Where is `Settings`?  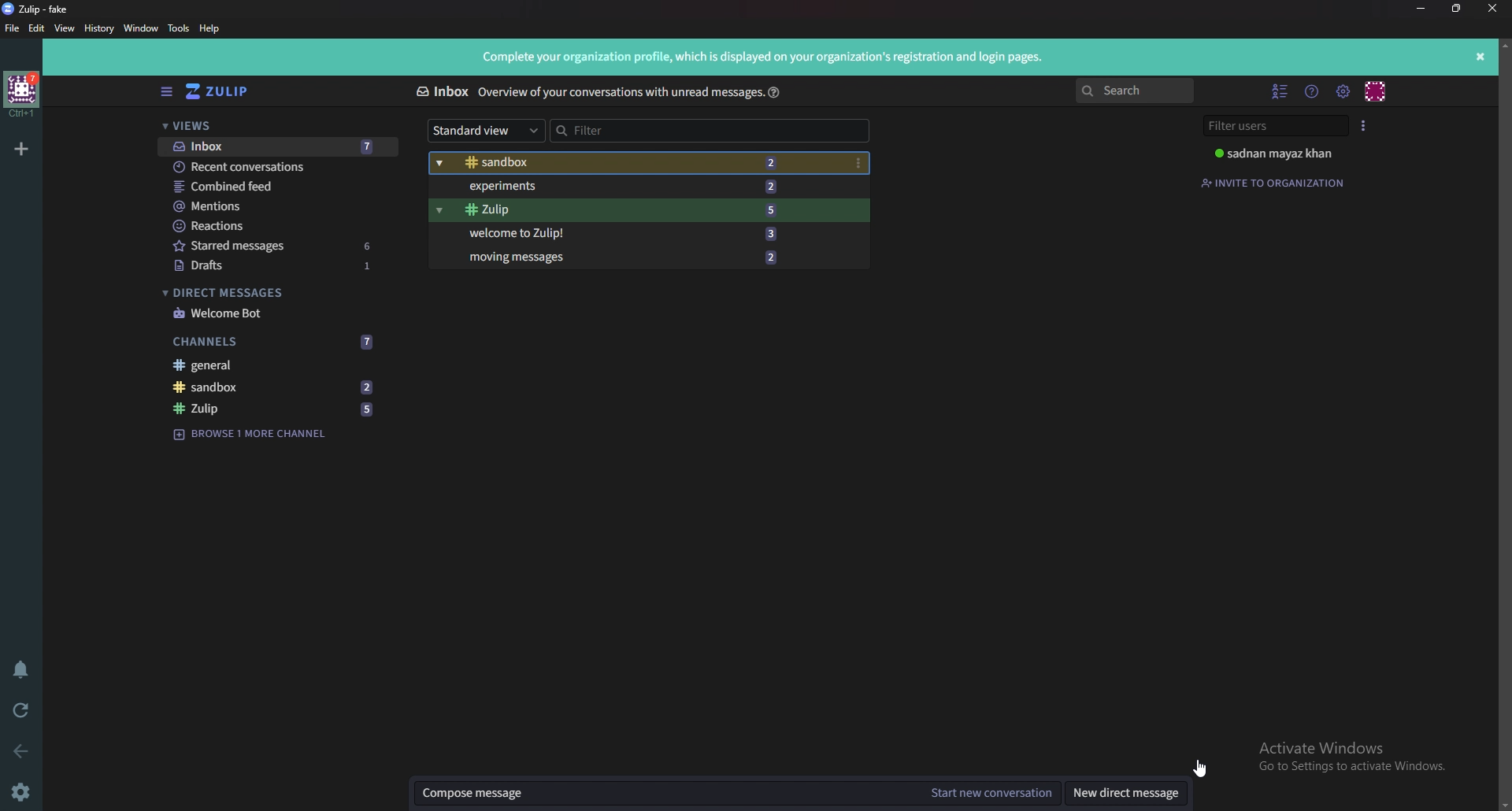
Settings is located at coordinates (24, 790).